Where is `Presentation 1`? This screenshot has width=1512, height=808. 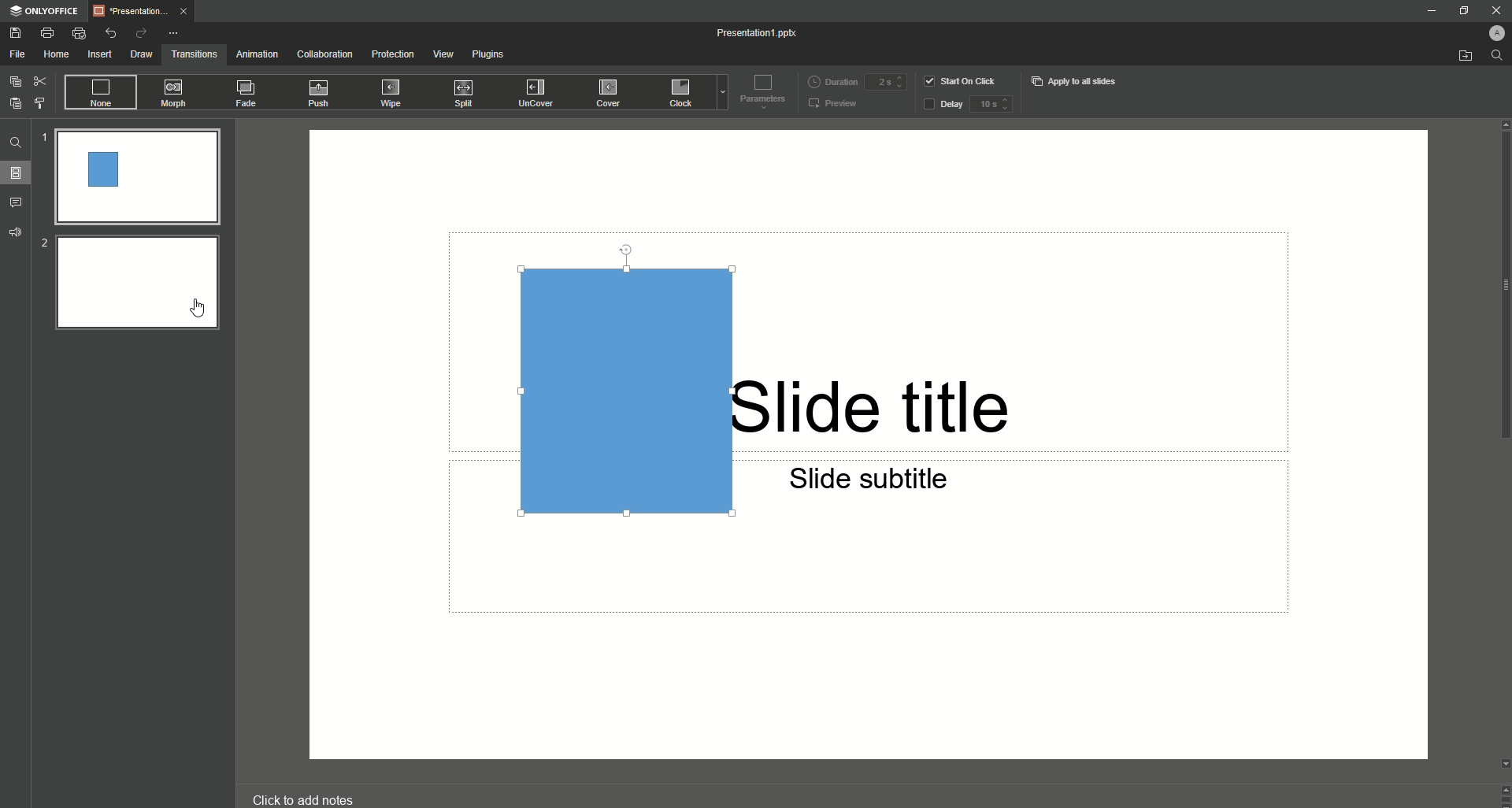
Presentation 1 is located at coordinates (760, 35).